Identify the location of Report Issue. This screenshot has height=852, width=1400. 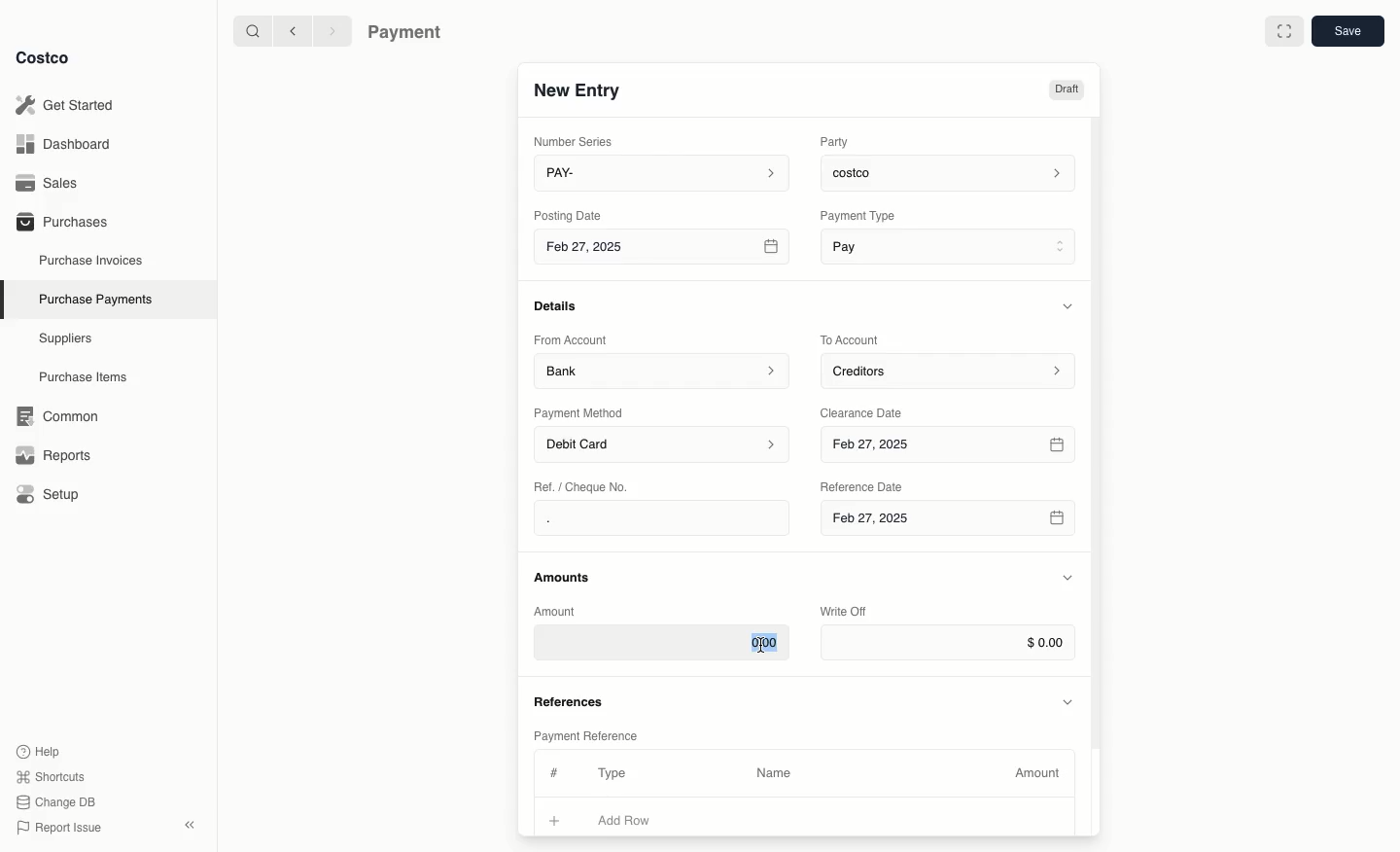
(59, 829).